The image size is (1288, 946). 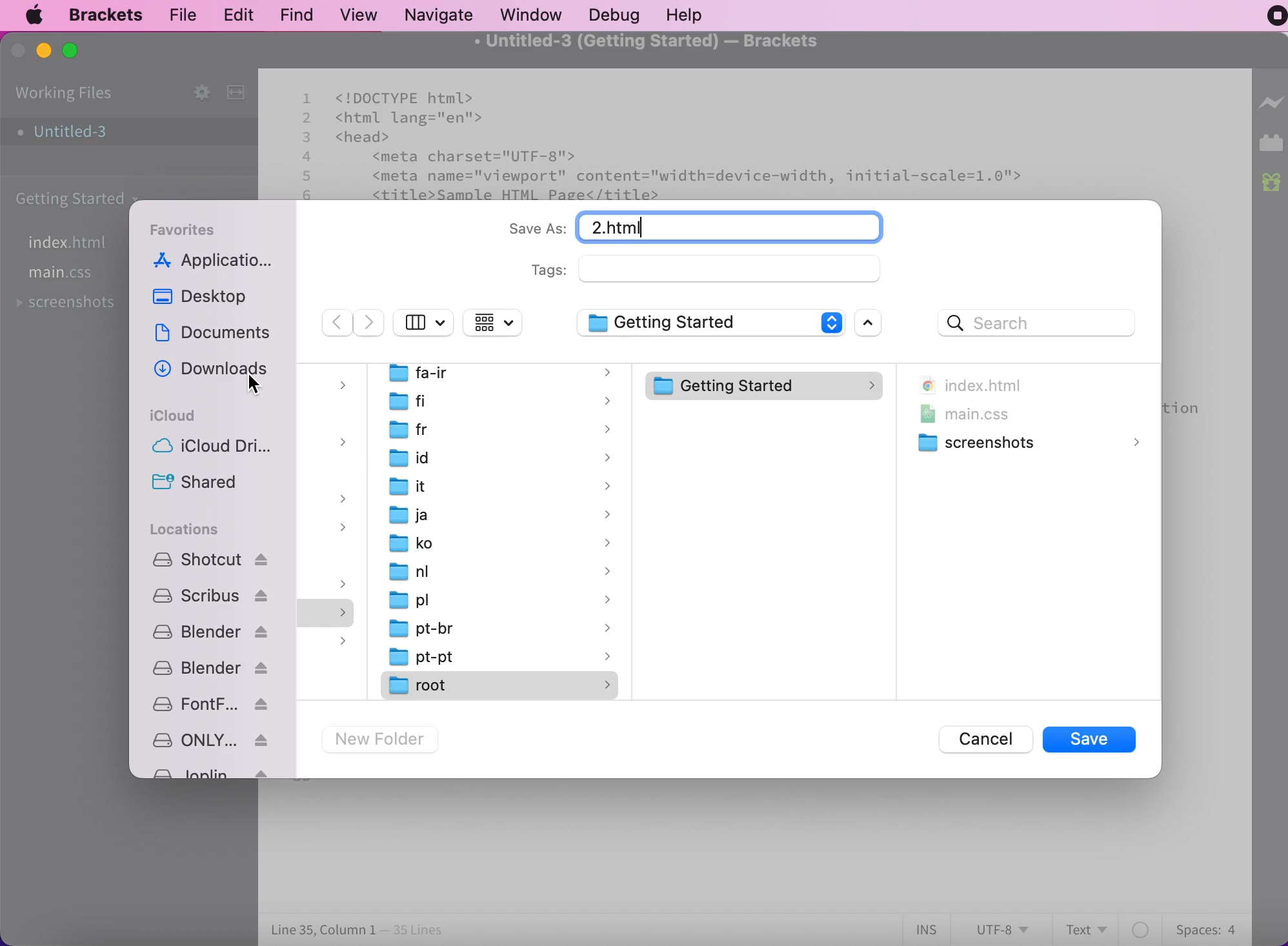 I want to click on applications, so click(x=220, y=262).